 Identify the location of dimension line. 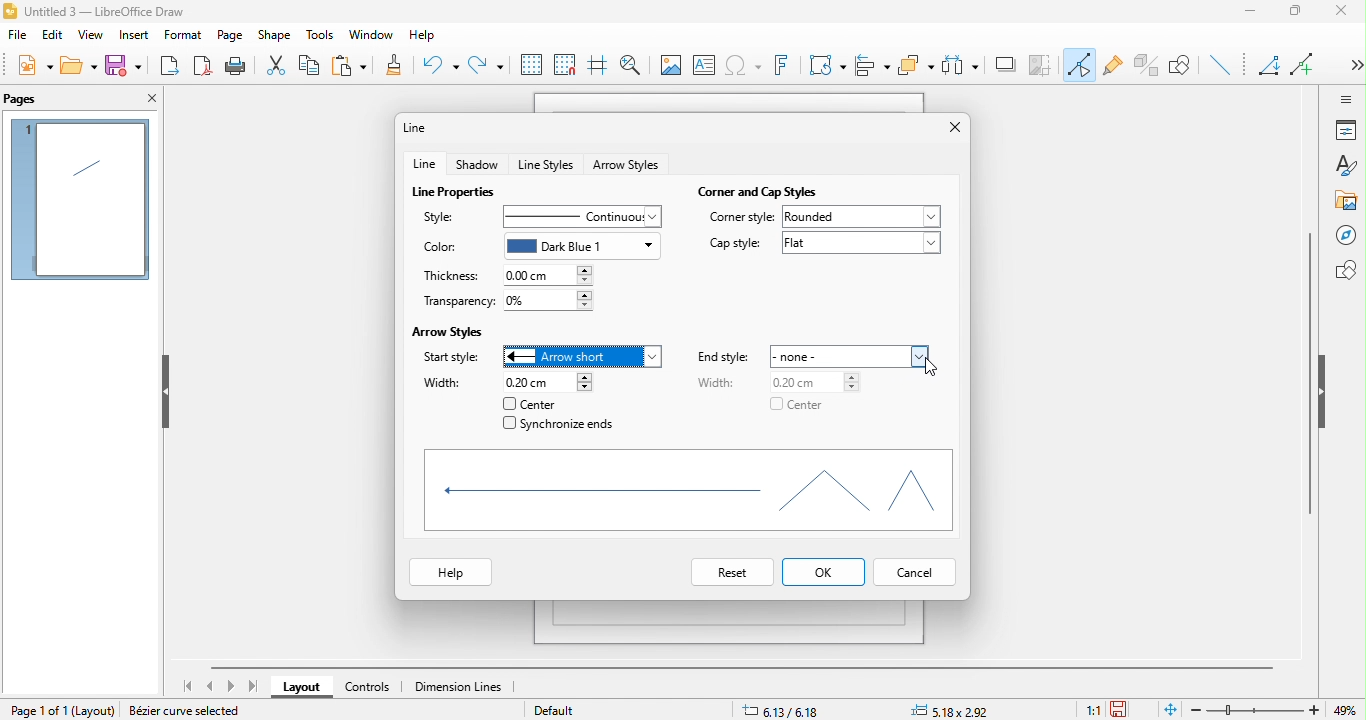
(468, 687).